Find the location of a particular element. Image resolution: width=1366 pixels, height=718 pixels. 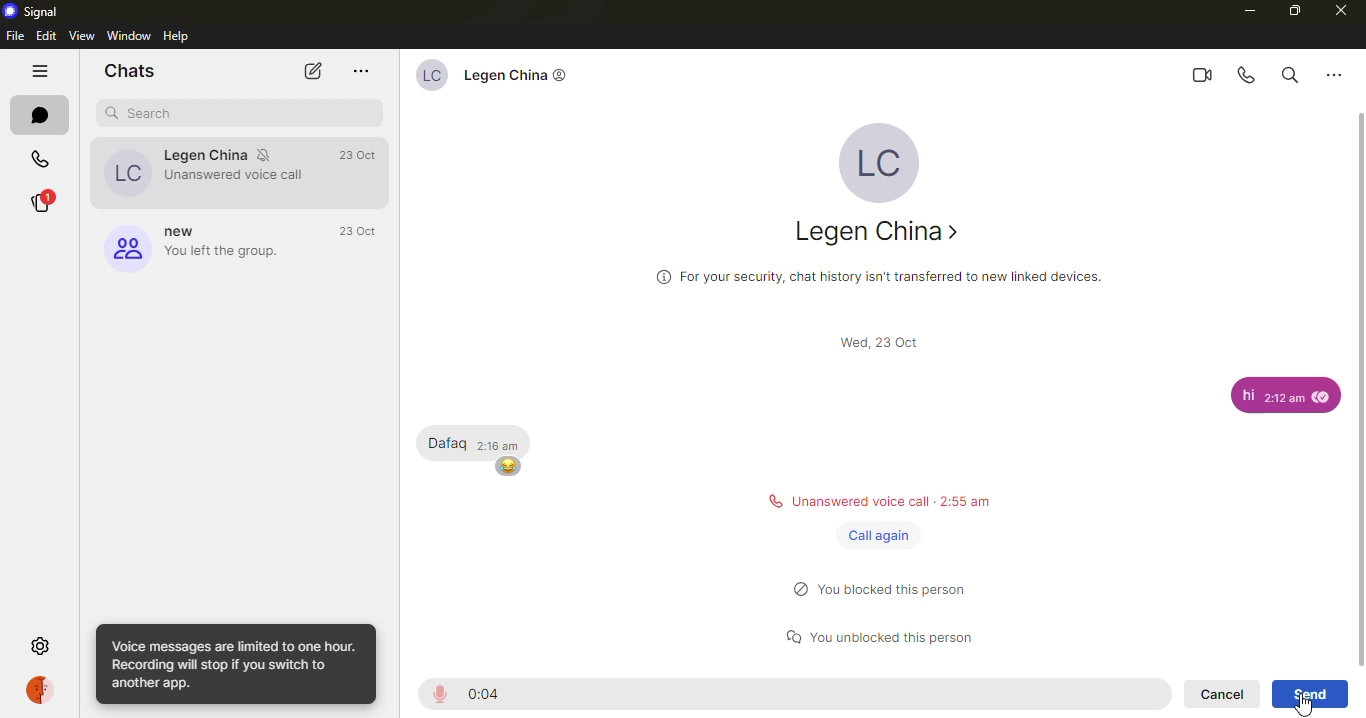

message is located at coordinates (1283, 391).